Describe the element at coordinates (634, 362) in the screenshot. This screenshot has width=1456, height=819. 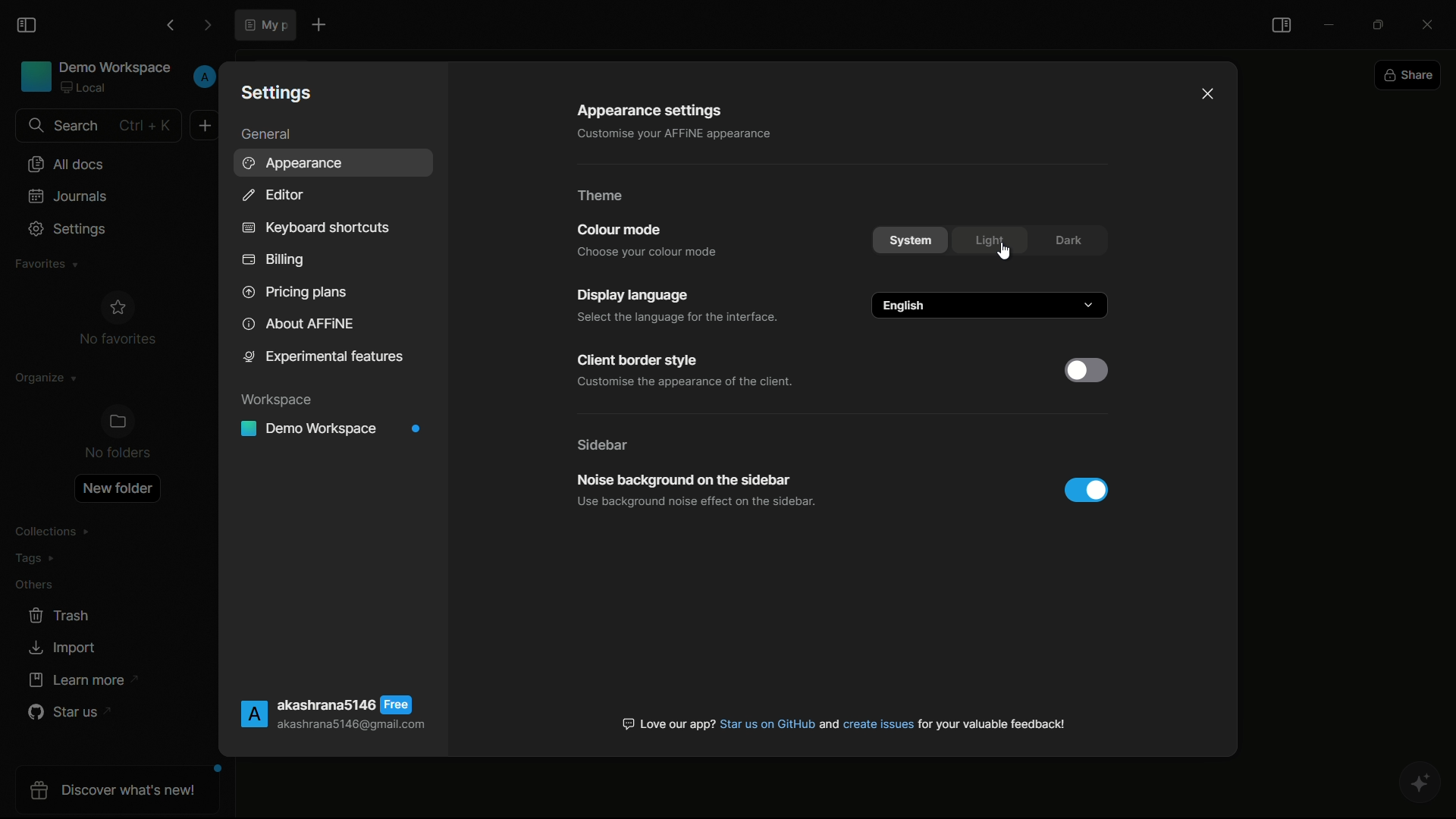
I see `client border style` at that location.